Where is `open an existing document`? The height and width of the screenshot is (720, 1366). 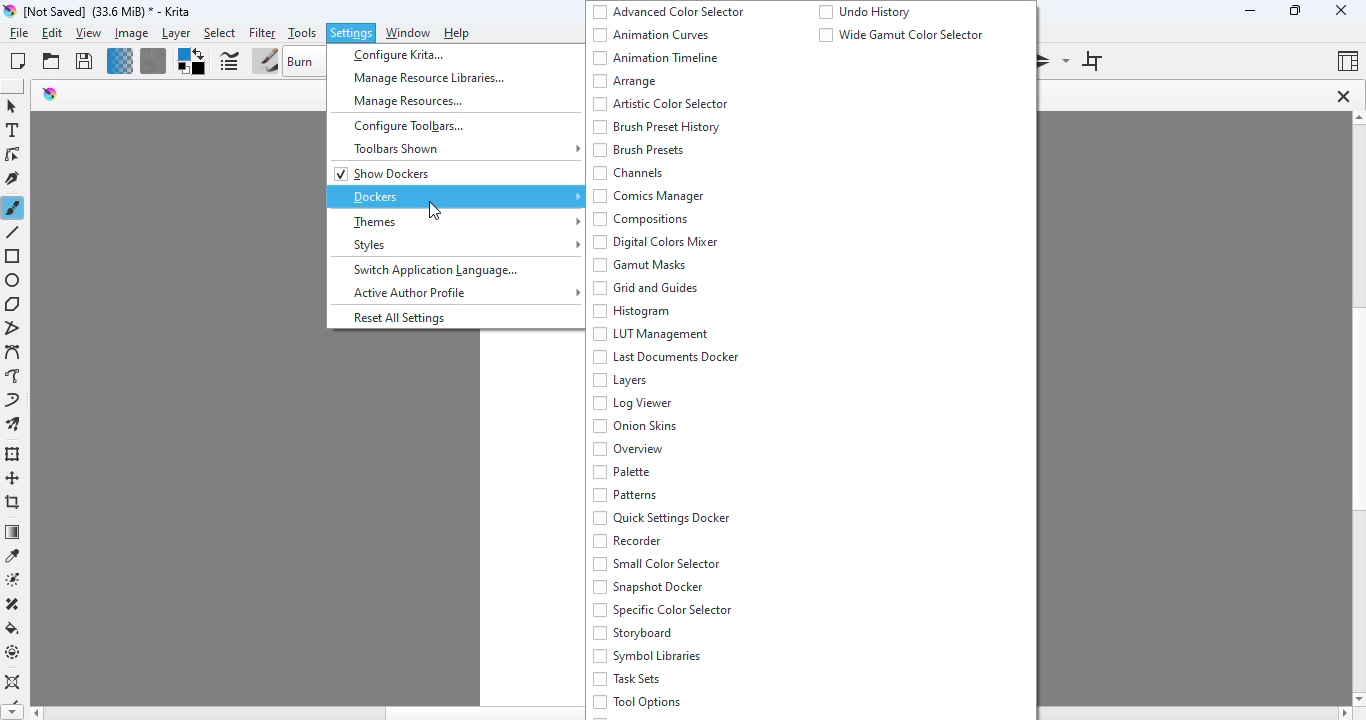 open an existing document is located at coordinates (51, 61).